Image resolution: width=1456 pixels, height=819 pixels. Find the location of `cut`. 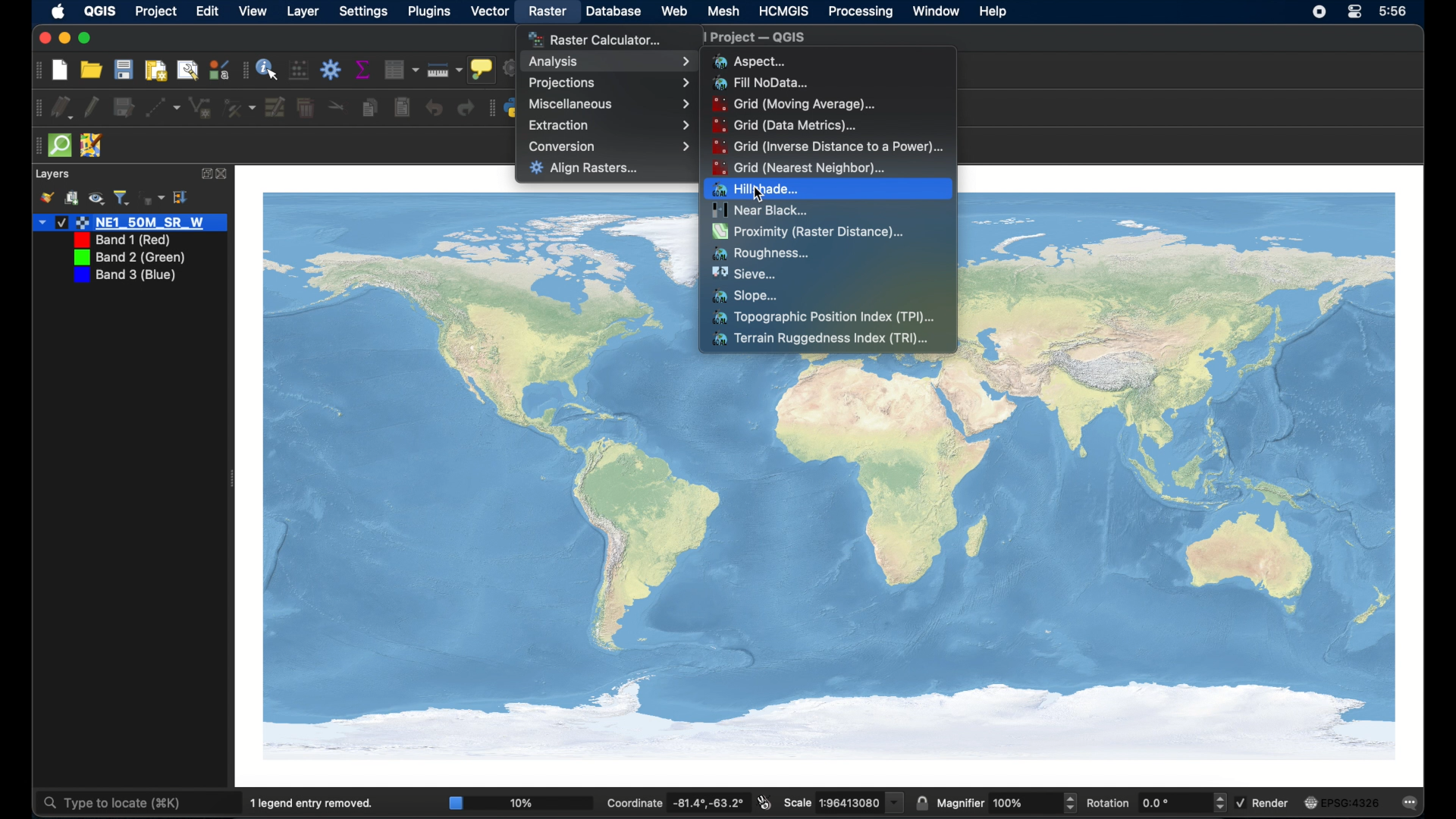

cut is located at coordinates (337, 106).